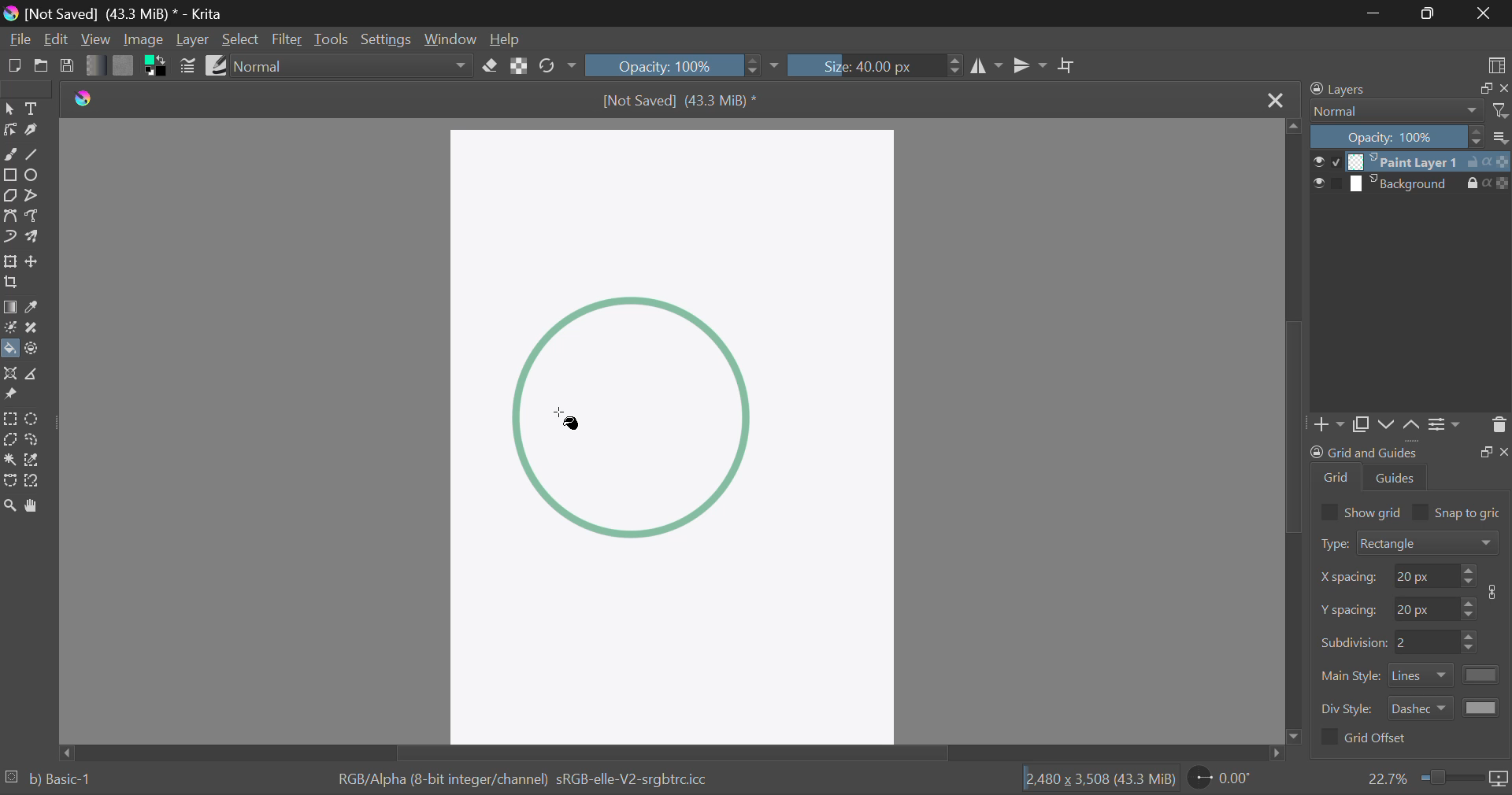 This screenshot has width=1512, height=795. I want to click on File, so click(19, 42).